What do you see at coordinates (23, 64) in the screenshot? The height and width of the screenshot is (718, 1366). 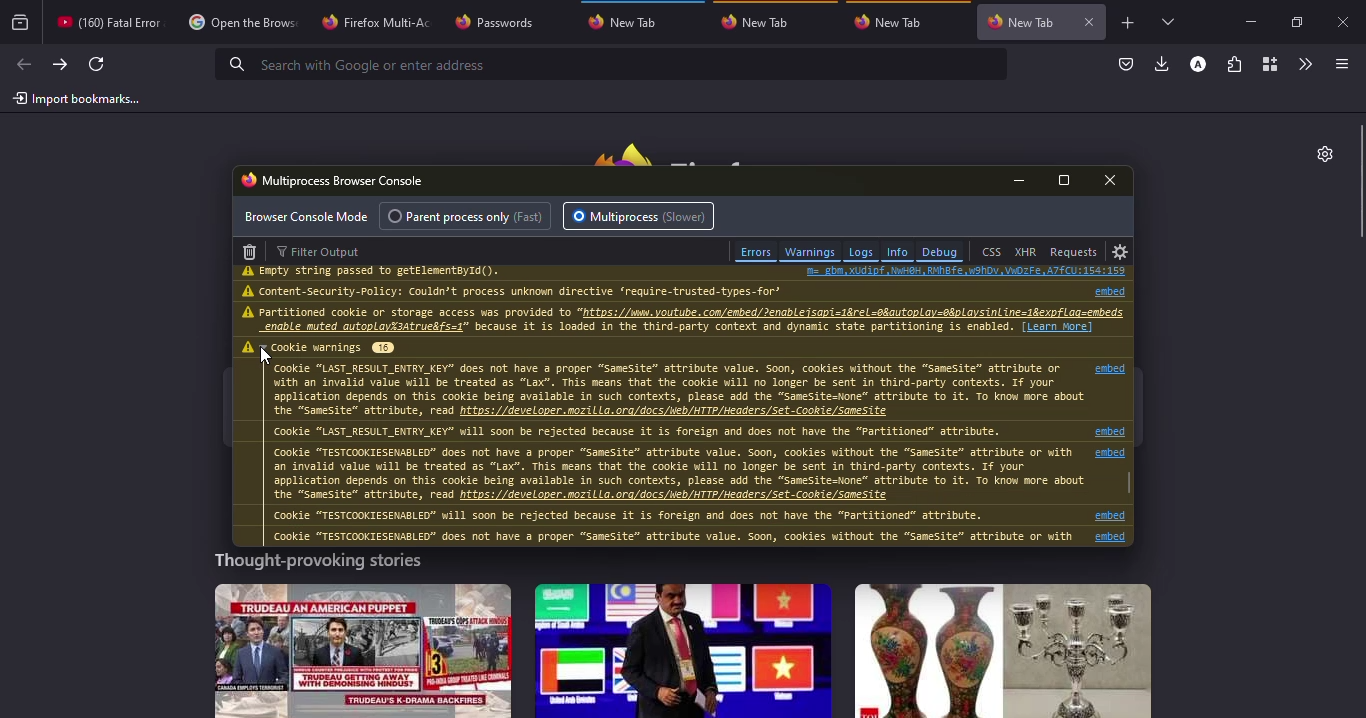 I see `back` at bounding box center [23, 64].